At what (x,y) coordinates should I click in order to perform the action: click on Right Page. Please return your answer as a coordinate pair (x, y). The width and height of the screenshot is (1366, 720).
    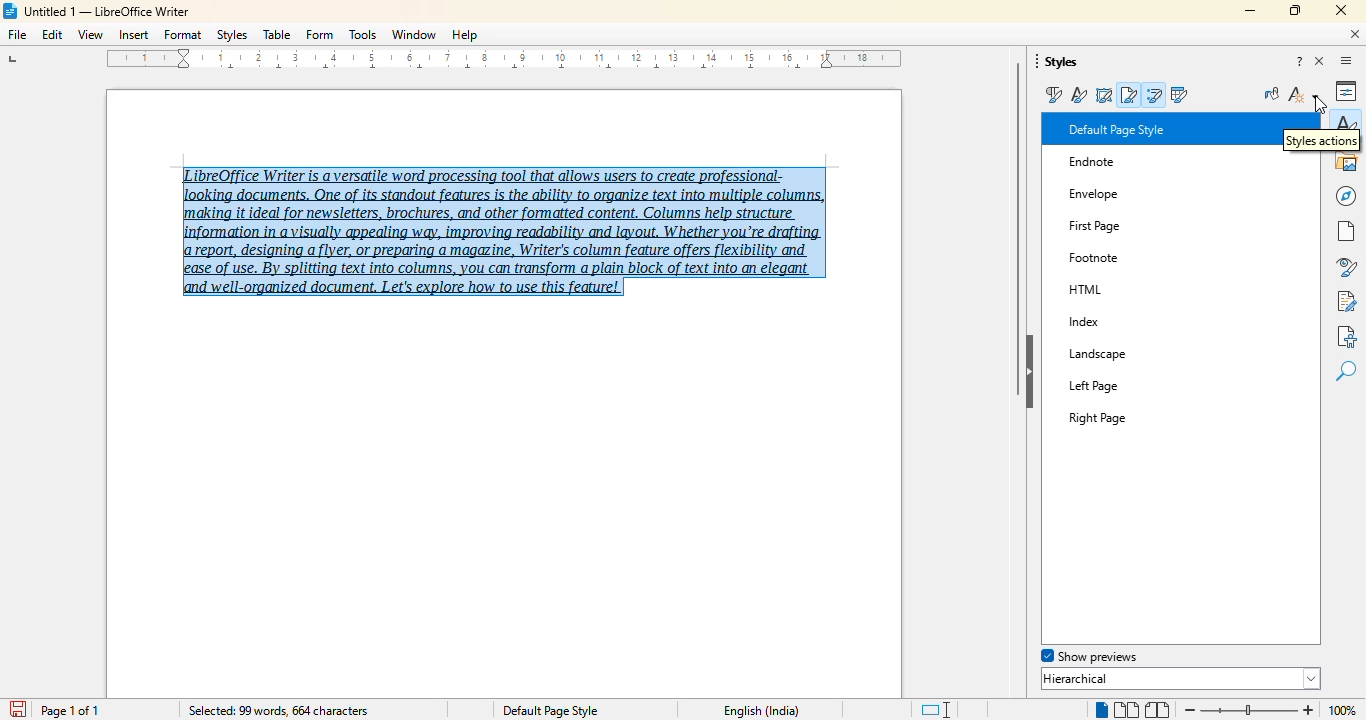
    Looking at the image, I should click on (1128, 413).